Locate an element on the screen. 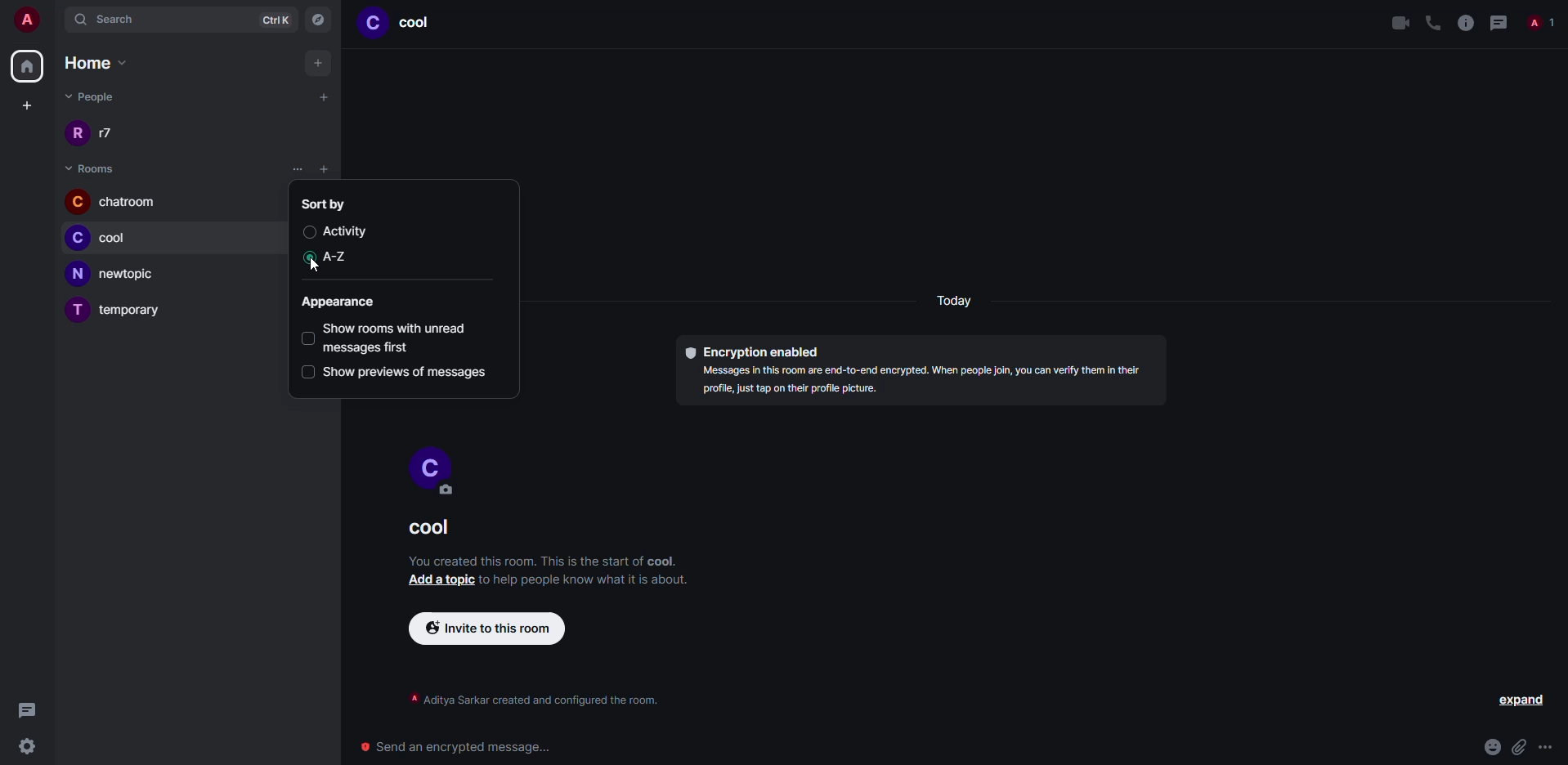 This screenshot has width=1568, height=765. home is located at coordinates (96, 64).